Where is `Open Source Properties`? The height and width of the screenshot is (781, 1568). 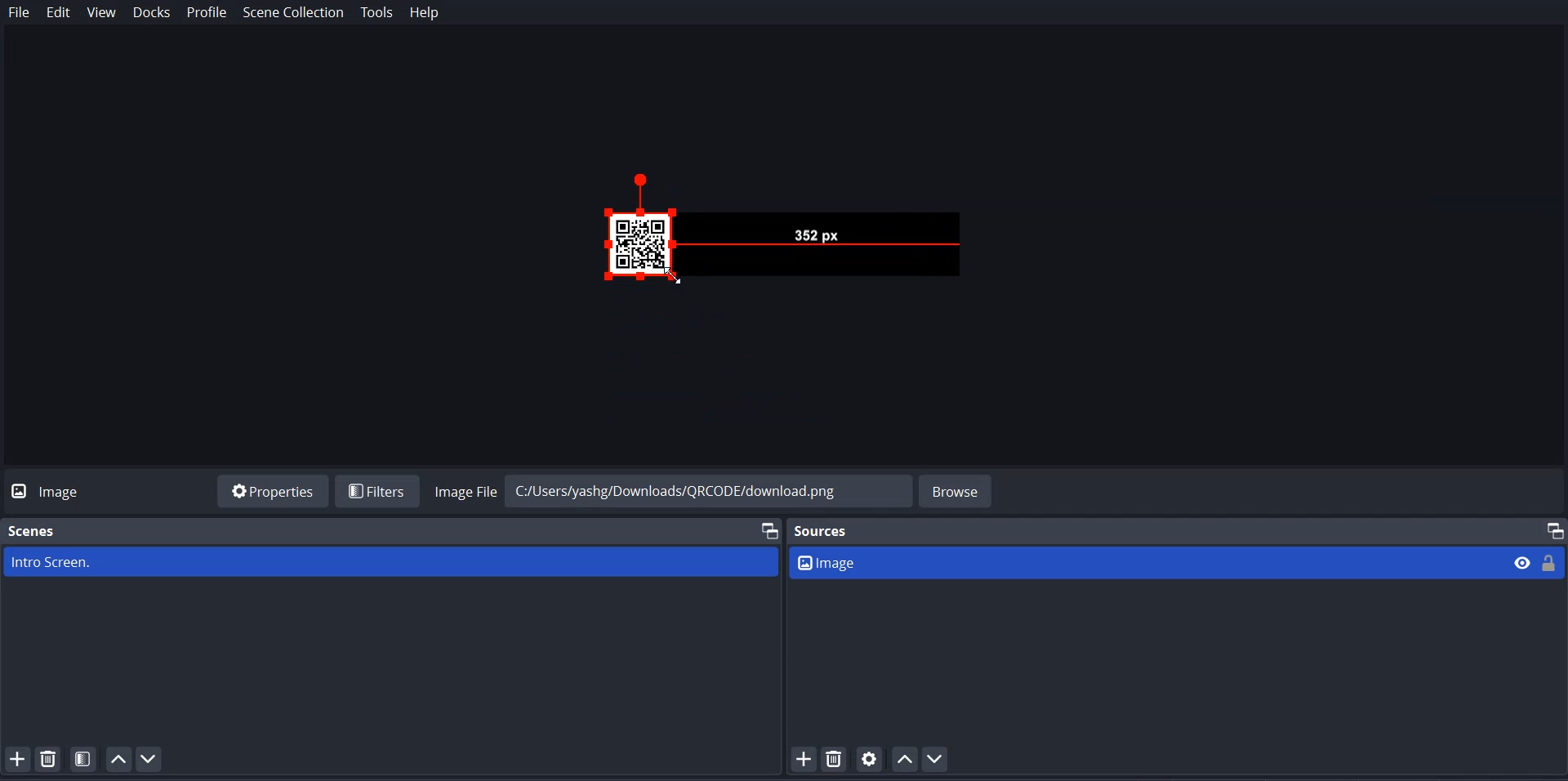
Open Source Properties is located at coordinates (871, 759).